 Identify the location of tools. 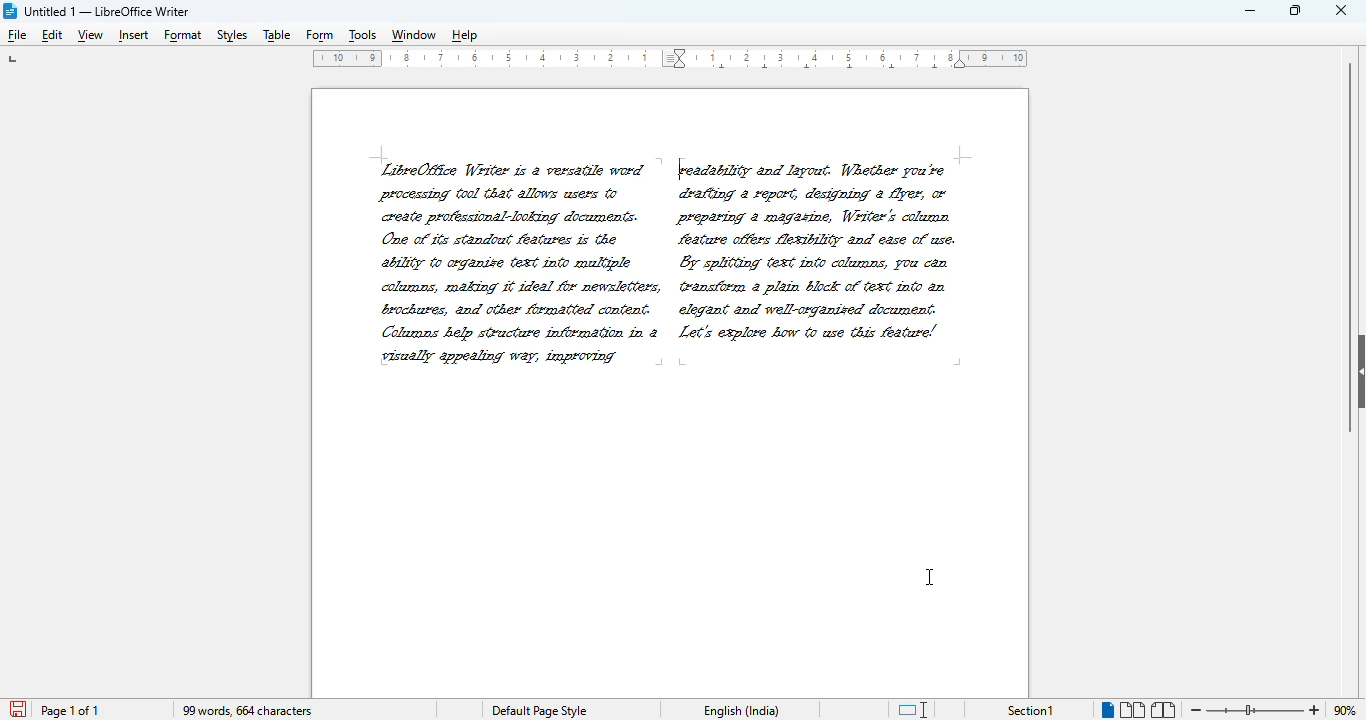
(362, 37).